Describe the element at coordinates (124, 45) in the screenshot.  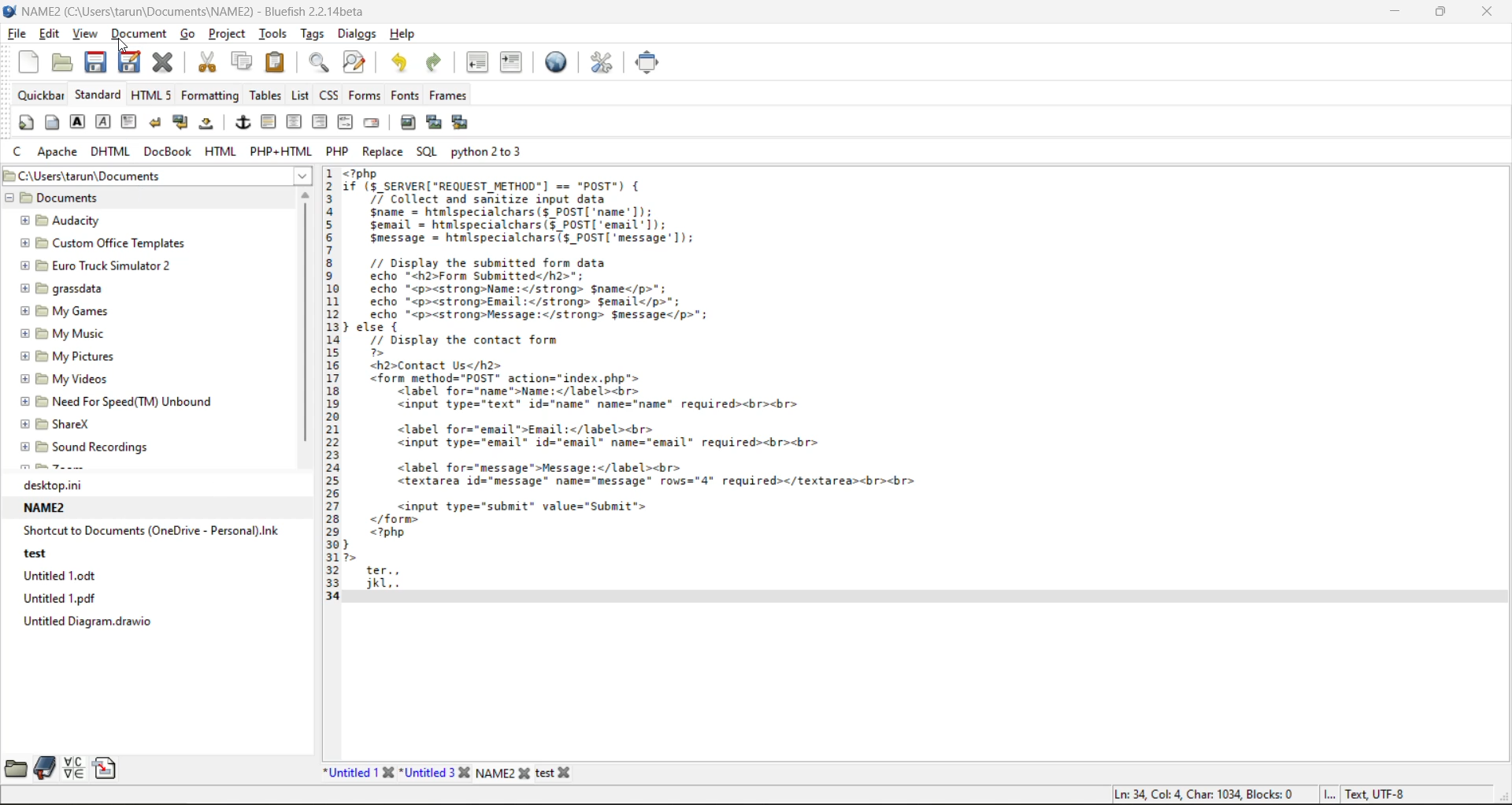
I see `Cursor on Document` at that location.